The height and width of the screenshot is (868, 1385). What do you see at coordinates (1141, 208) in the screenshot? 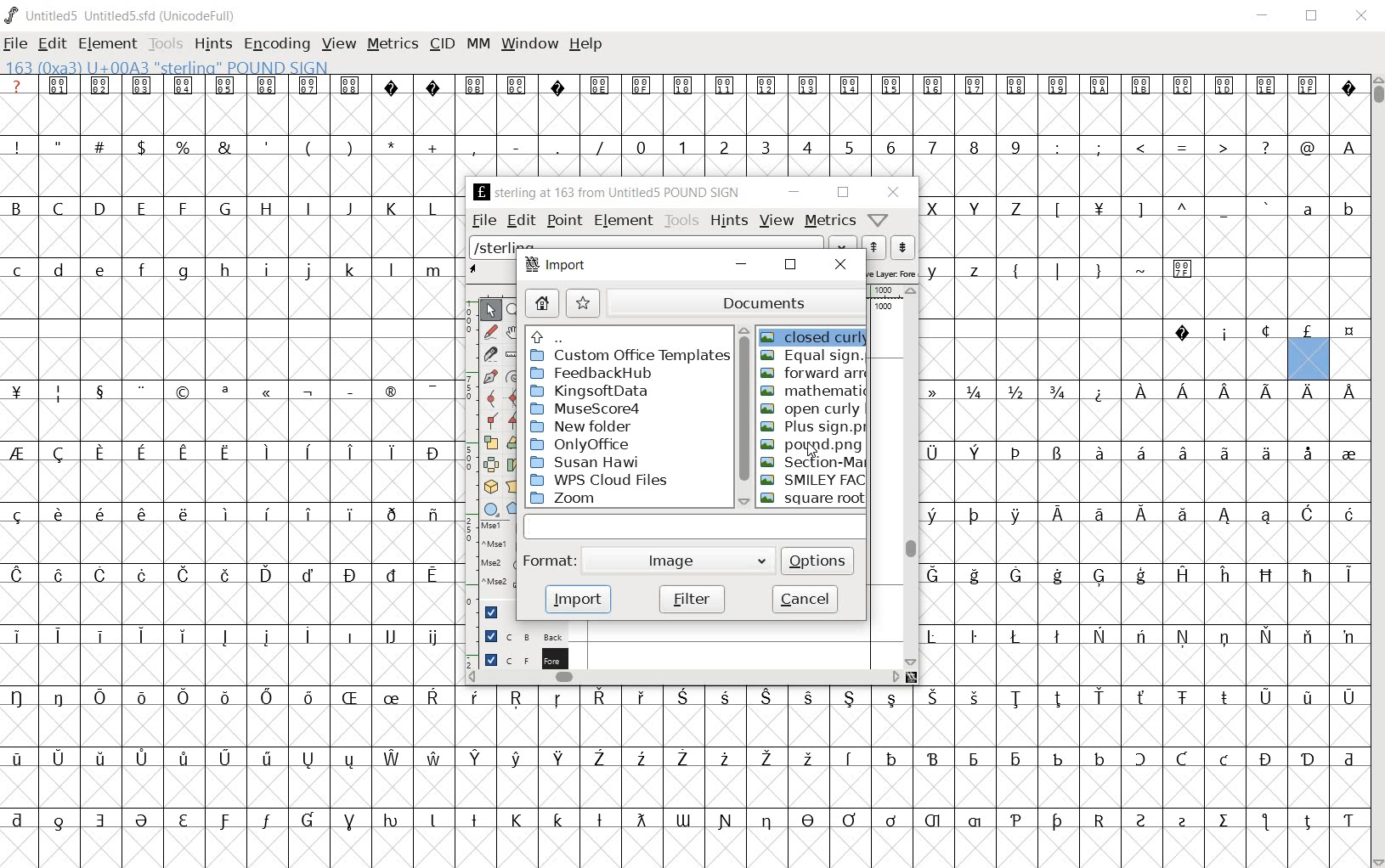
I see `]` at bounding box center [1141, 208].